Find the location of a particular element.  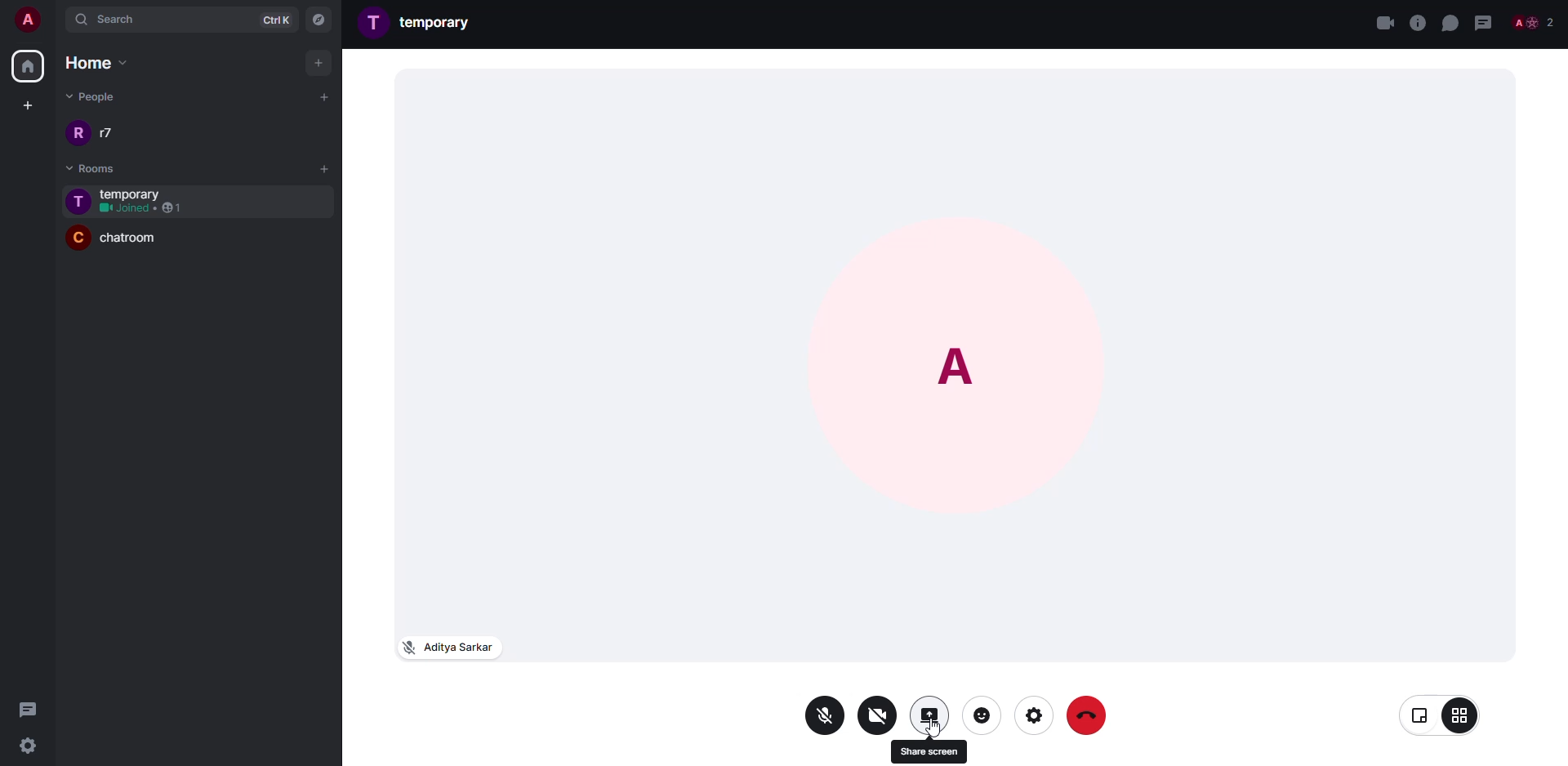

room is located at coordinates (138, 193).